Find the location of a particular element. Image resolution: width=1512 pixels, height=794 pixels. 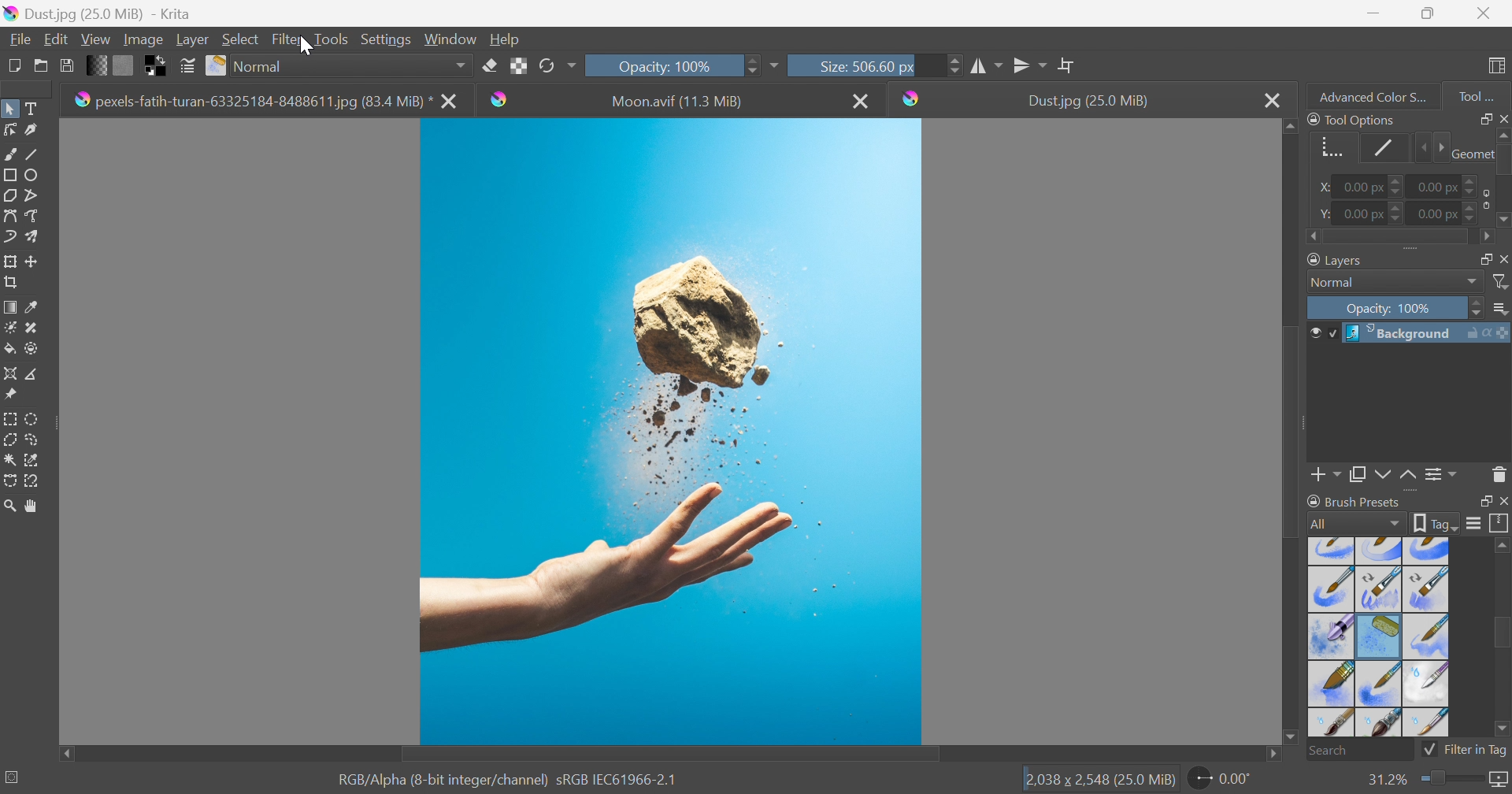

Window is located at coordinates (451, 38).